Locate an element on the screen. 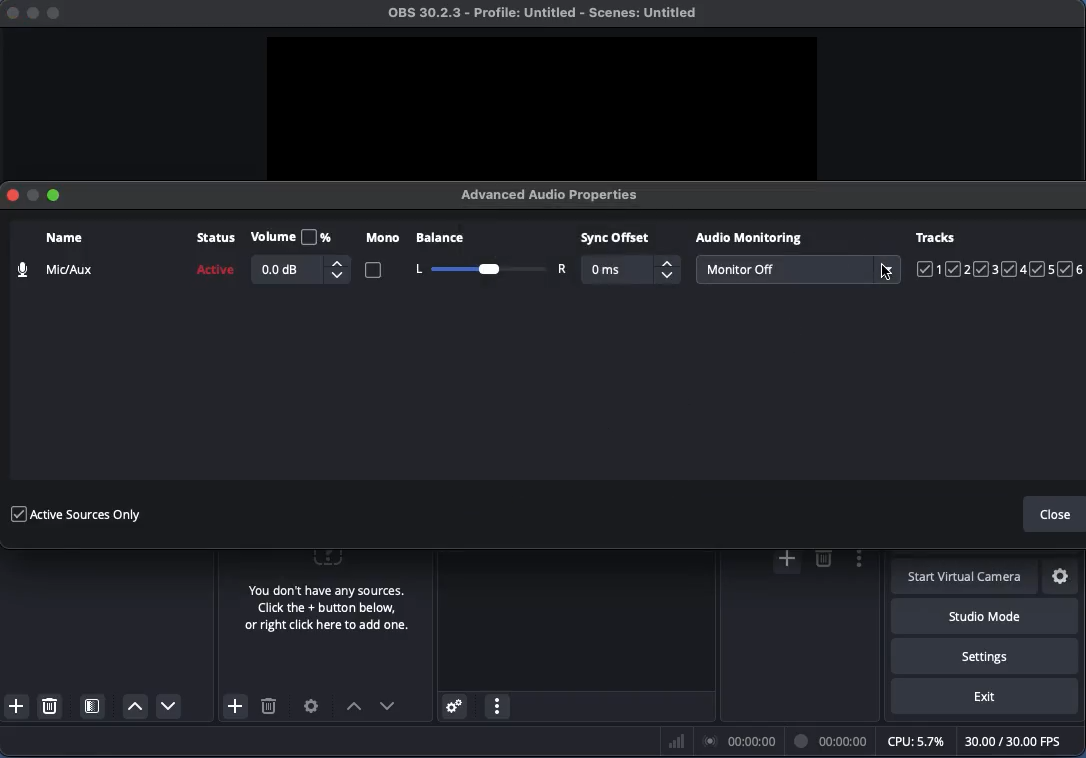 The width and height of the screenshot is (1086, 758). Maximize is located at coordinates (57, 194).